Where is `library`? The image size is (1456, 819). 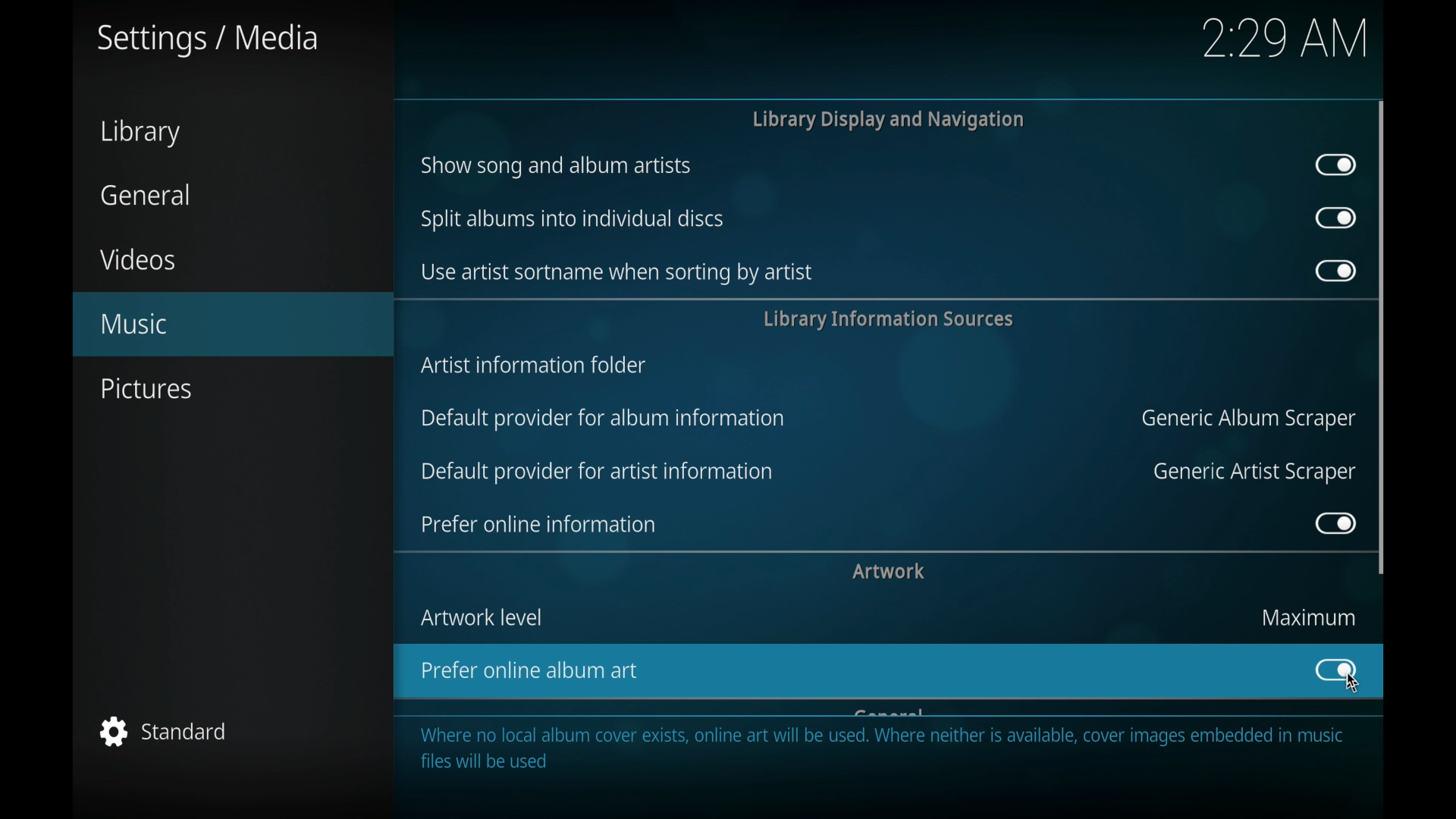
library is located at coordinates (140, 135).